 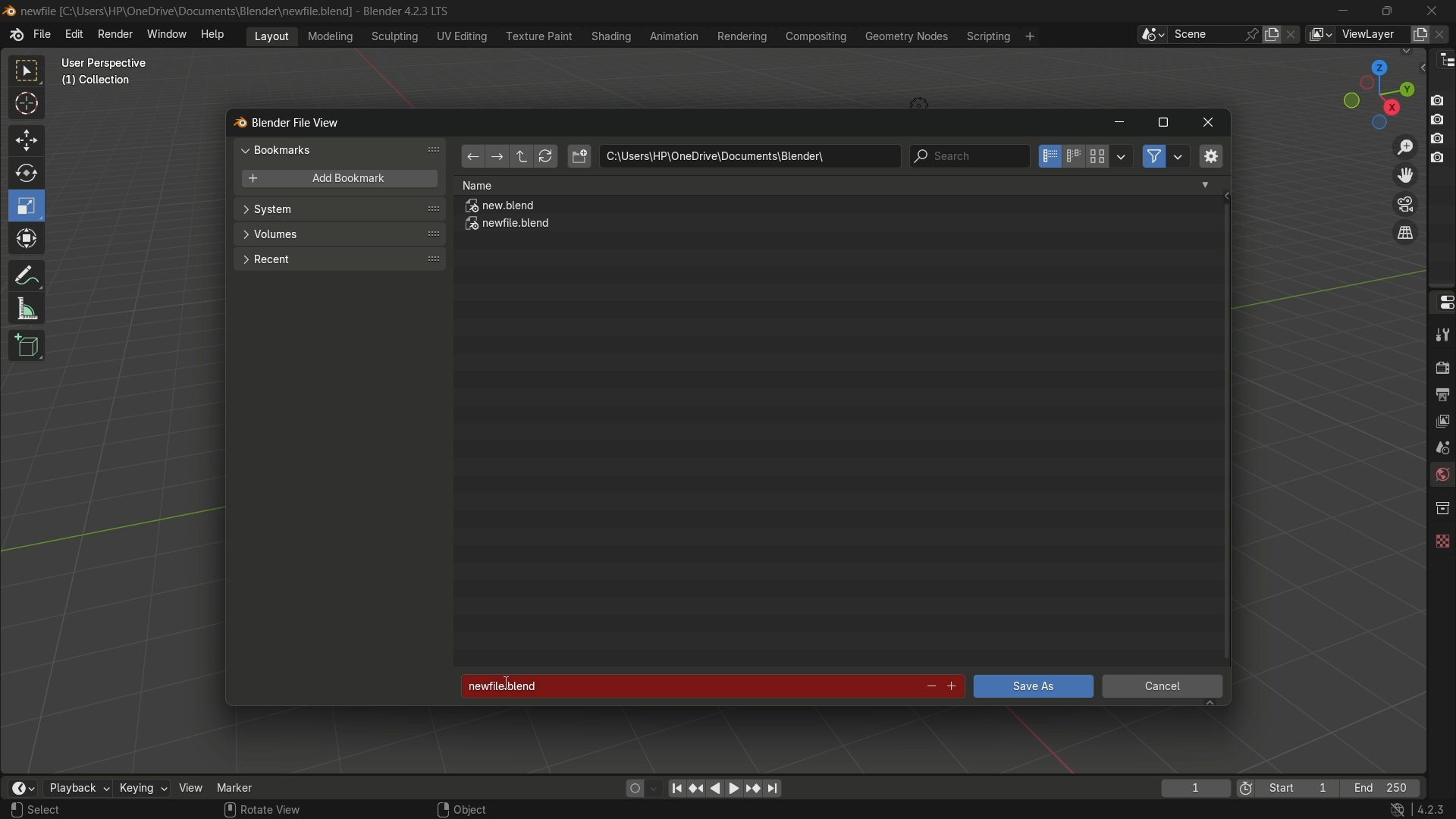 I want to click on move view layer, so click(x=1404, y=174).